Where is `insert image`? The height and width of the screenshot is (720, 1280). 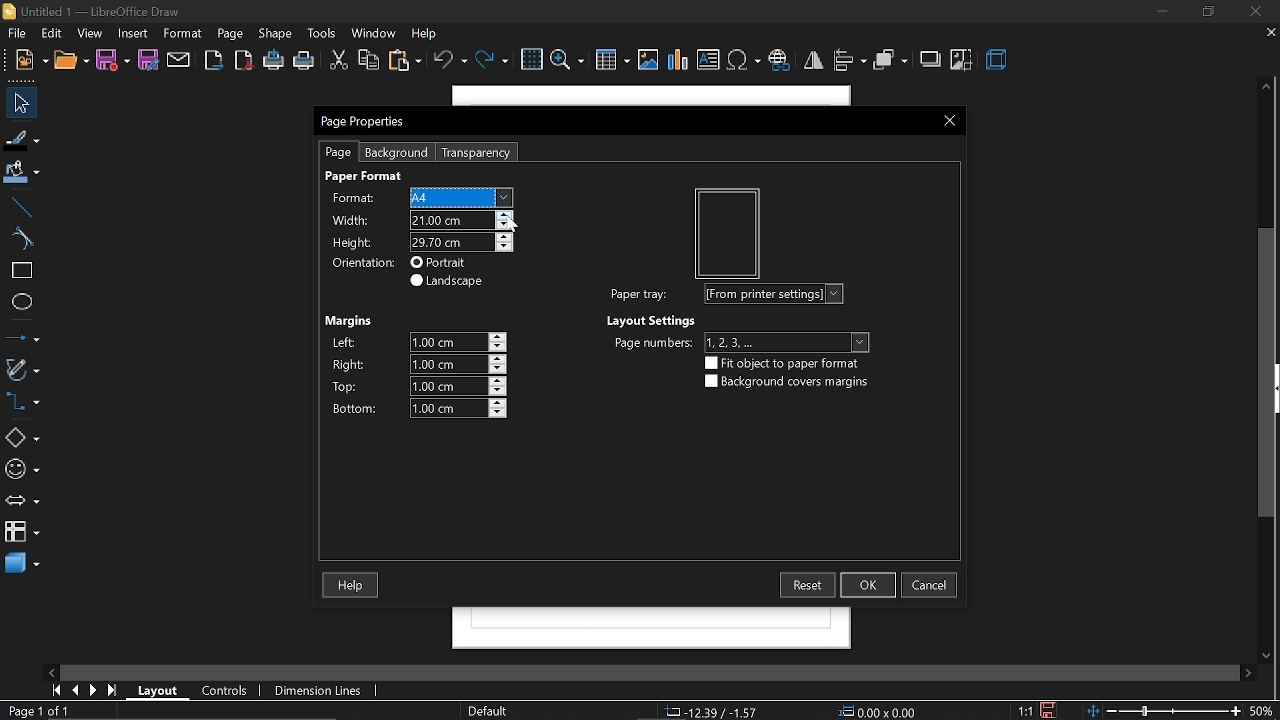 insert image is located at coordinates (647, 60).